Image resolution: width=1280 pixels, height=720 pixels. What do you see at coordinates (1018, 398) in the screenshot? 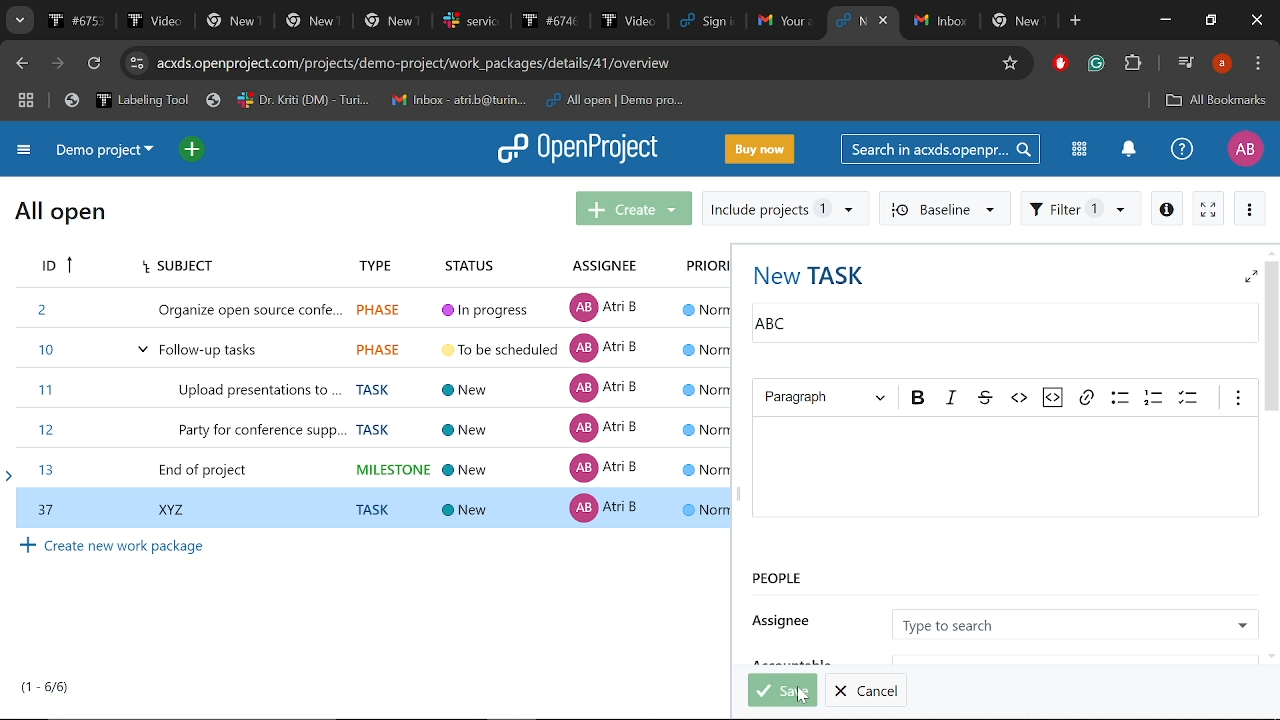
I see `Code` at bounding box center [1018, 398].